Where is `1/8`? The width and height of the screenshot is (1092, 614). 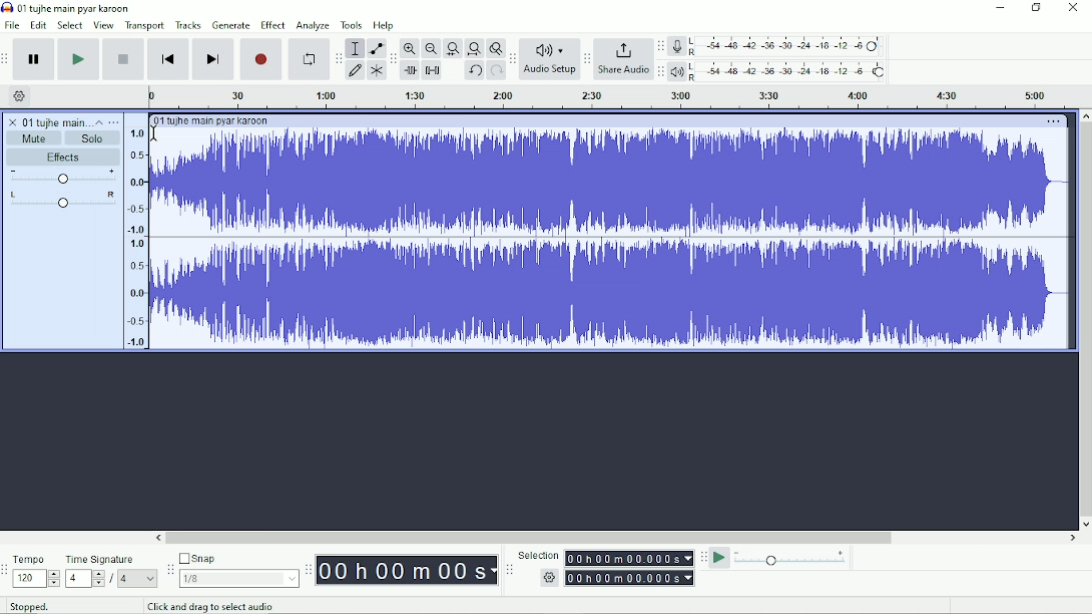
1/8 is located at coordinates (239, 578).